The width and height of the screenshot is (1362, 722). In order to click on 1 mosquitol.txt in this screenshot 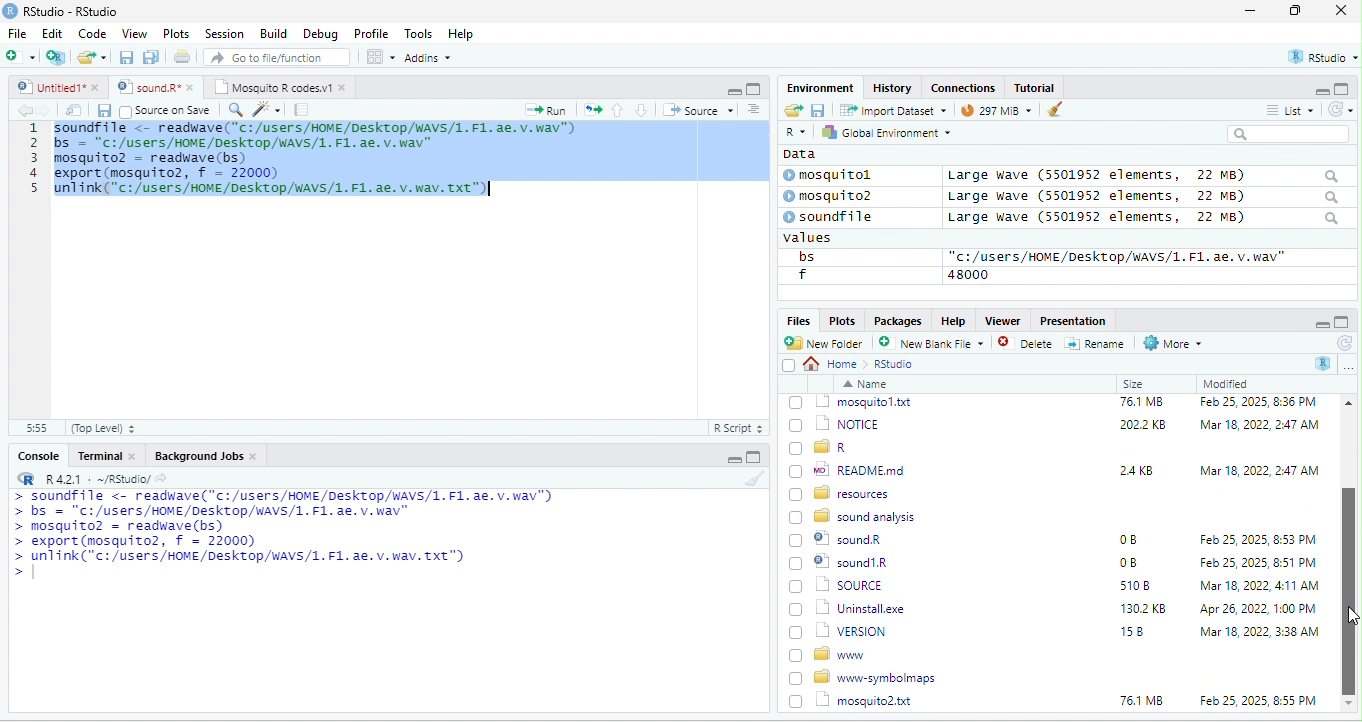, I will do `click(844, 519)`.